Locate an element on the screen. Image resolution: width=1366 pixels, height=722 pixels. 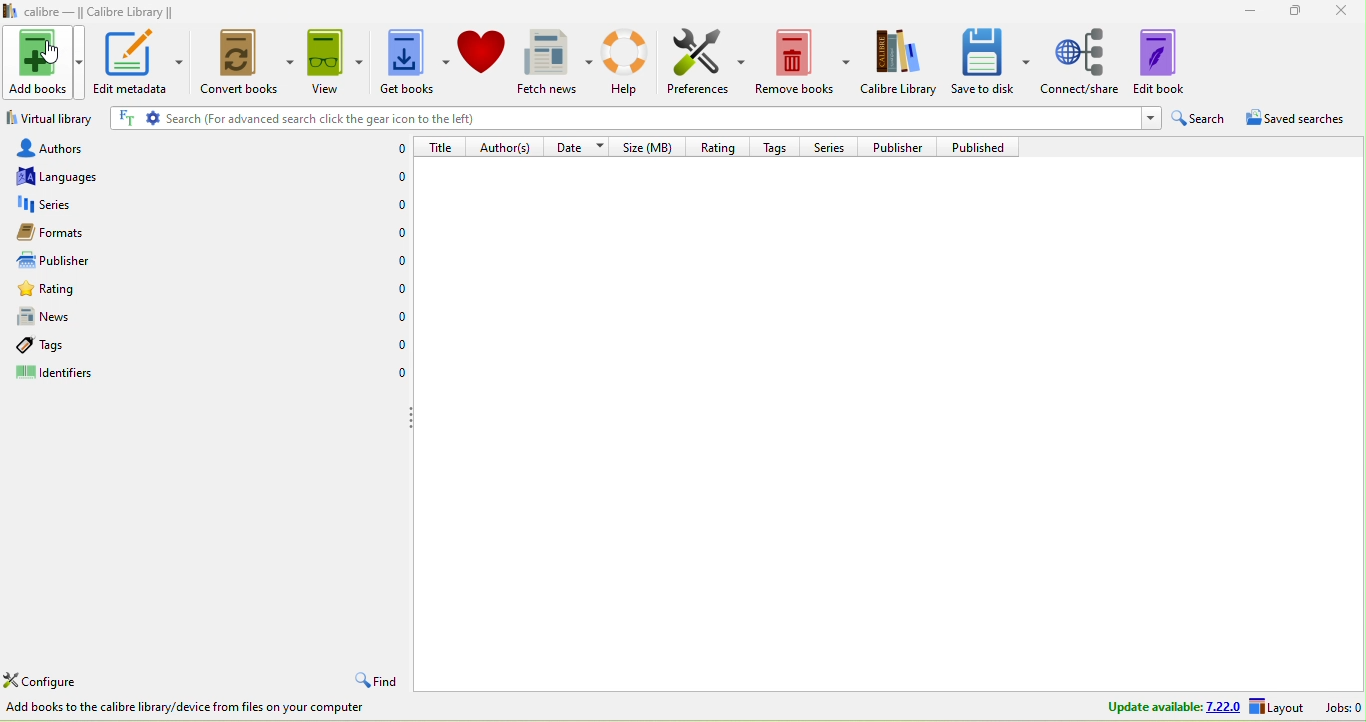
jobs 0 is located at coordinates (1340, 707).